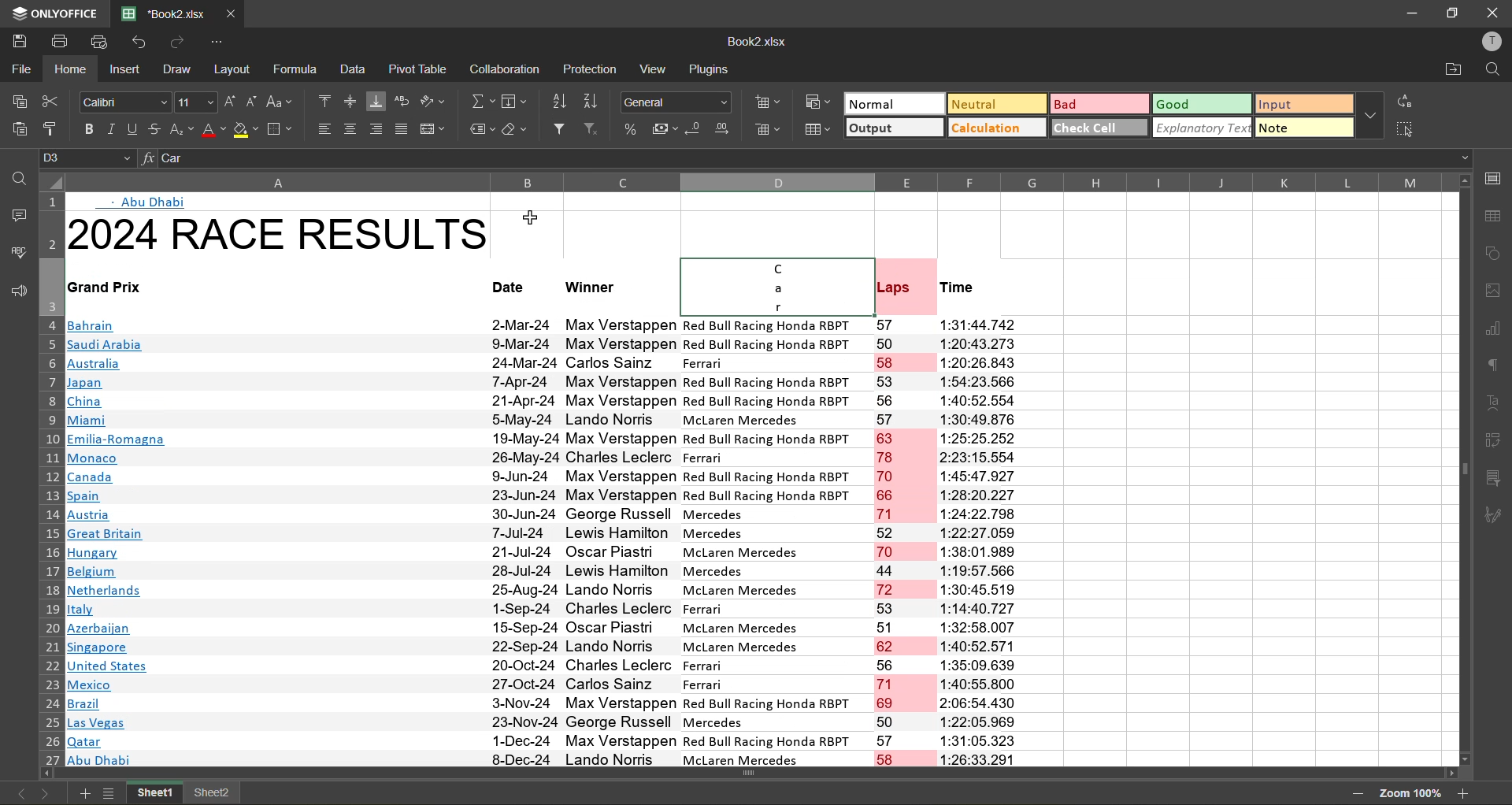 Image resolution: width=1512 pixels, height=805 pixels. I want to click on signature, so click(1492, 517).